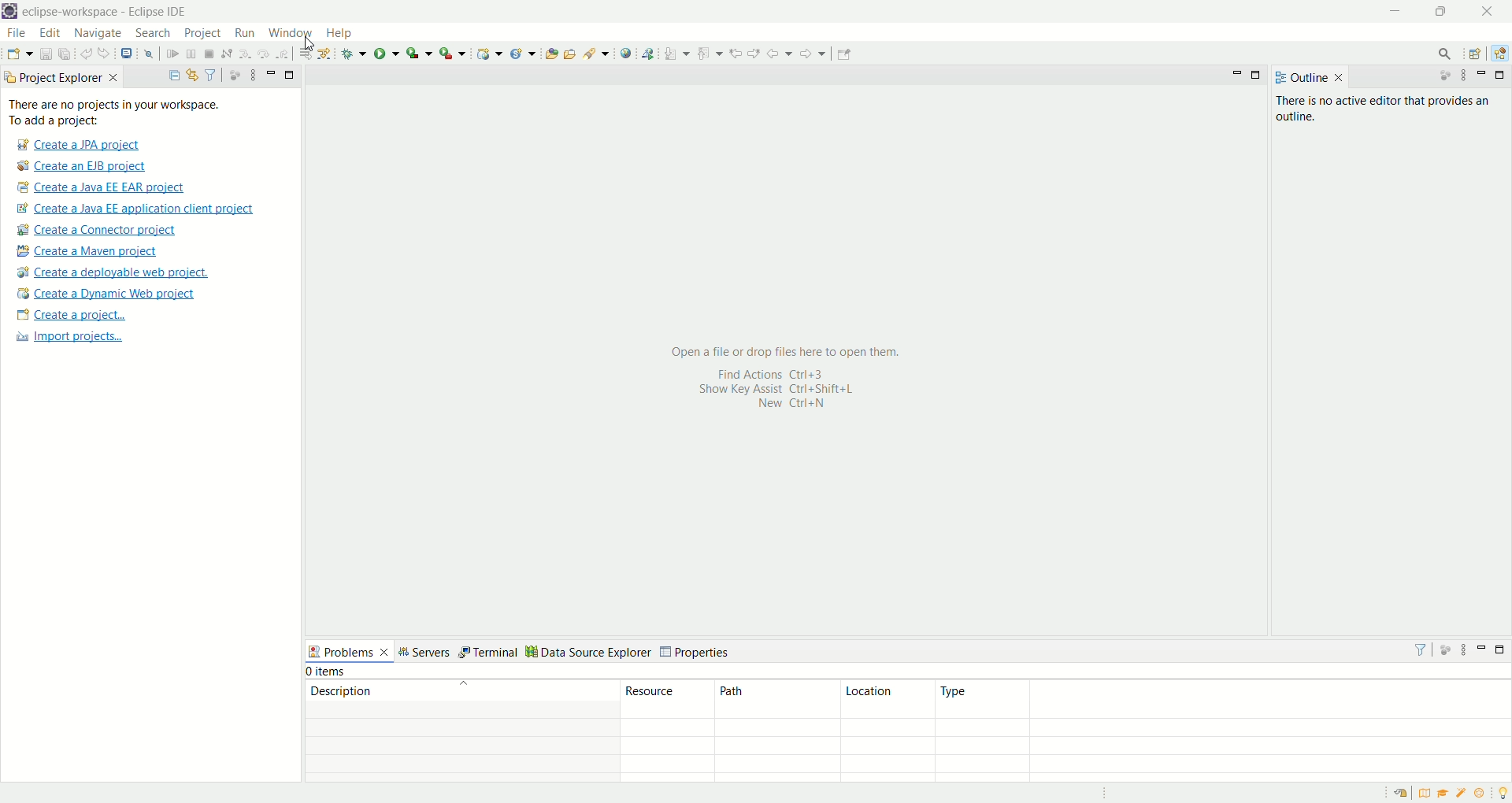 Image resolution: width=1512 pixels, height=803 pixels. What do you see at coordinates (292, 31) in the screenshot?
I see `window` at bounding box center [292, 31].